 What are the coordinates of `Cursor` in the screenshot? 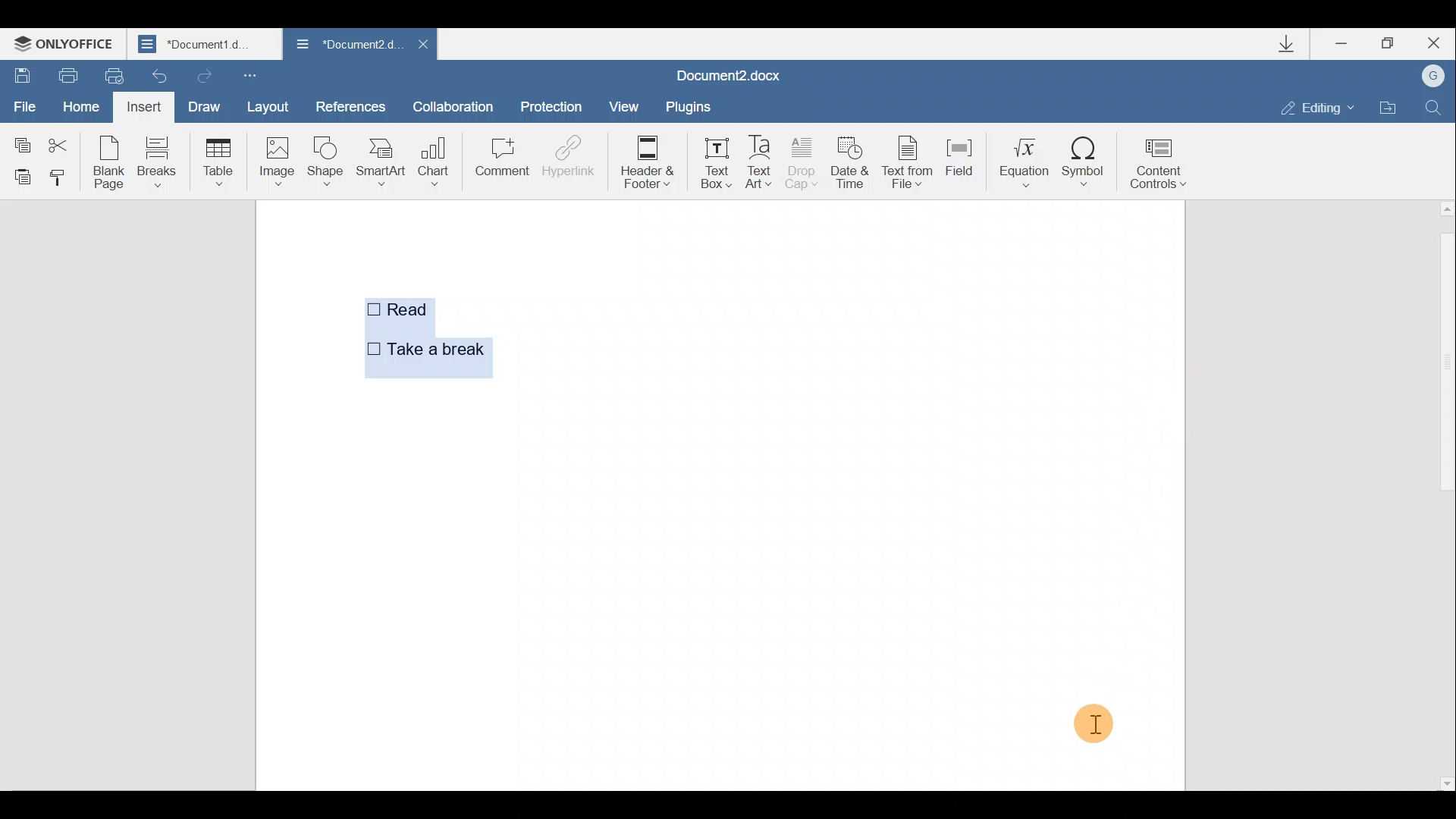 It's located at (1089, 720).